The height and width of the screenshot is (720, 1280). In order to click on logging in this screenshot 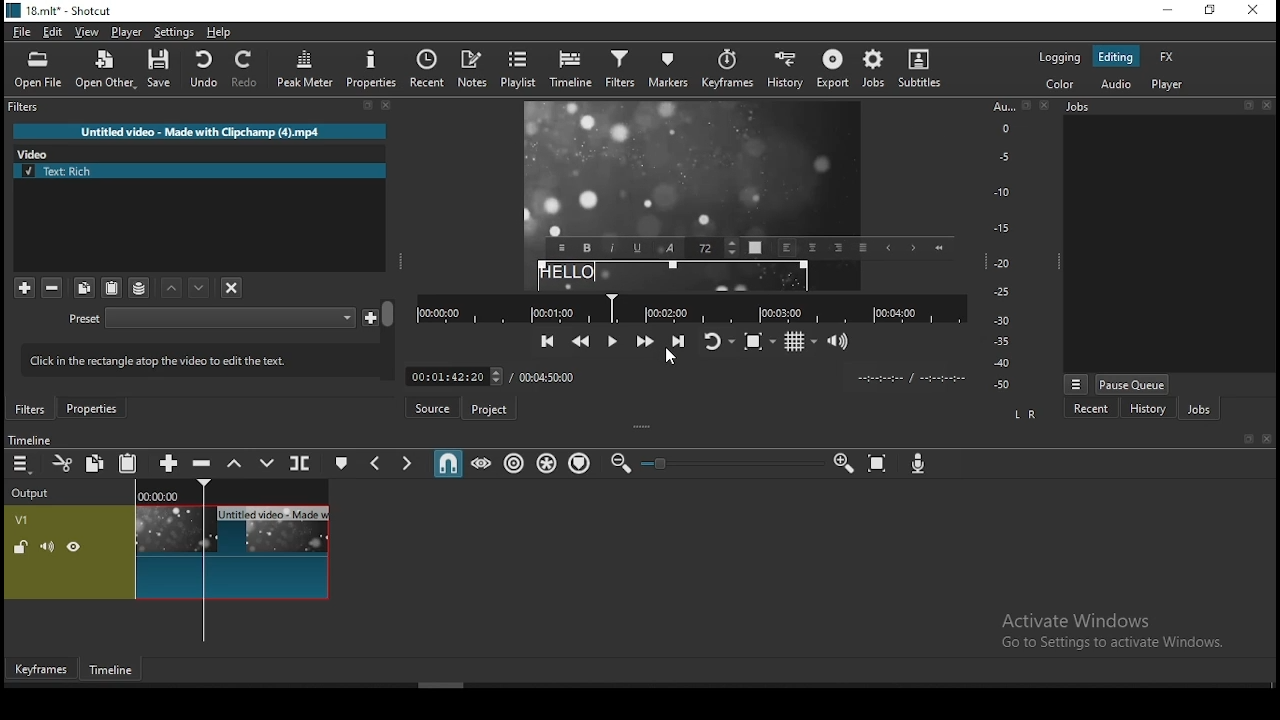, I will do `click(1061, 57)`.